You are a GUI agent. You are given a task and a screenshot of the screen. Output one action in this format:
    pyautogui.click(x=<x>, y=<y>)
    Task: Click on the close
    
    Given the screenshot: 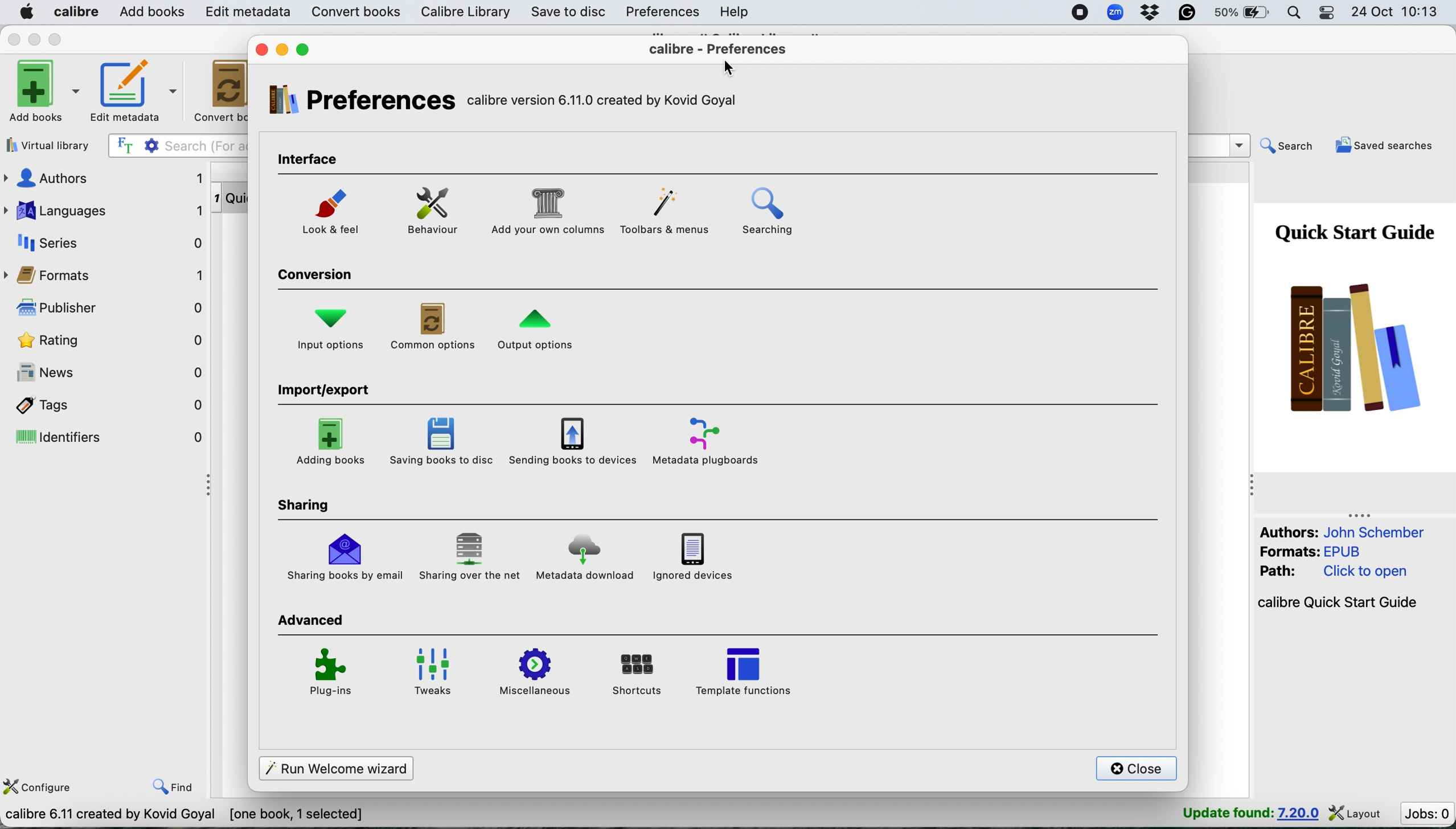 What is the action you would take?
    pyautogui.click(x=262, y=51)
    